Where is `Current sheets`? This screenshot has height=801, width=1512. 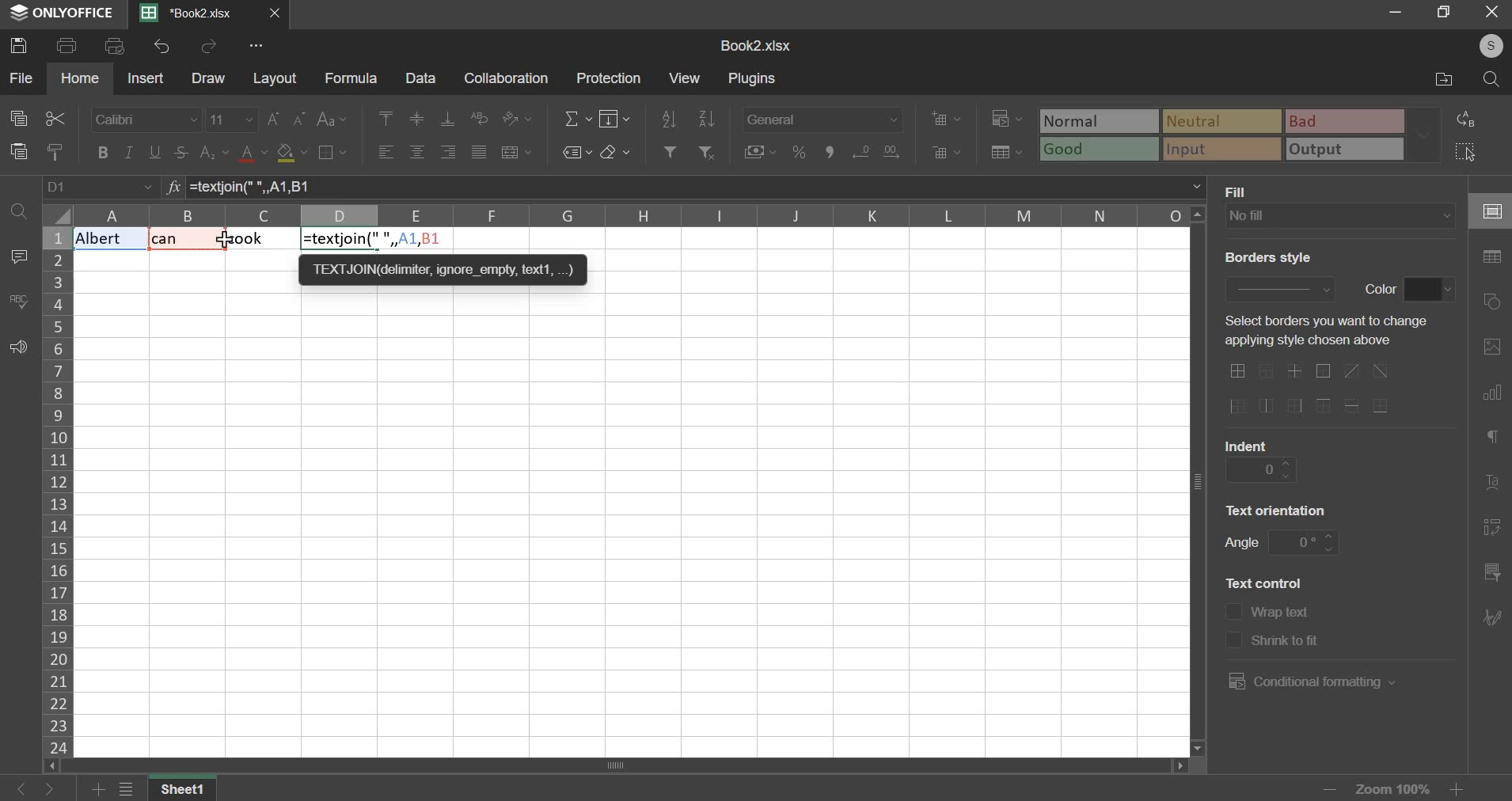 Current sheets is located at coordinates (194, 13).